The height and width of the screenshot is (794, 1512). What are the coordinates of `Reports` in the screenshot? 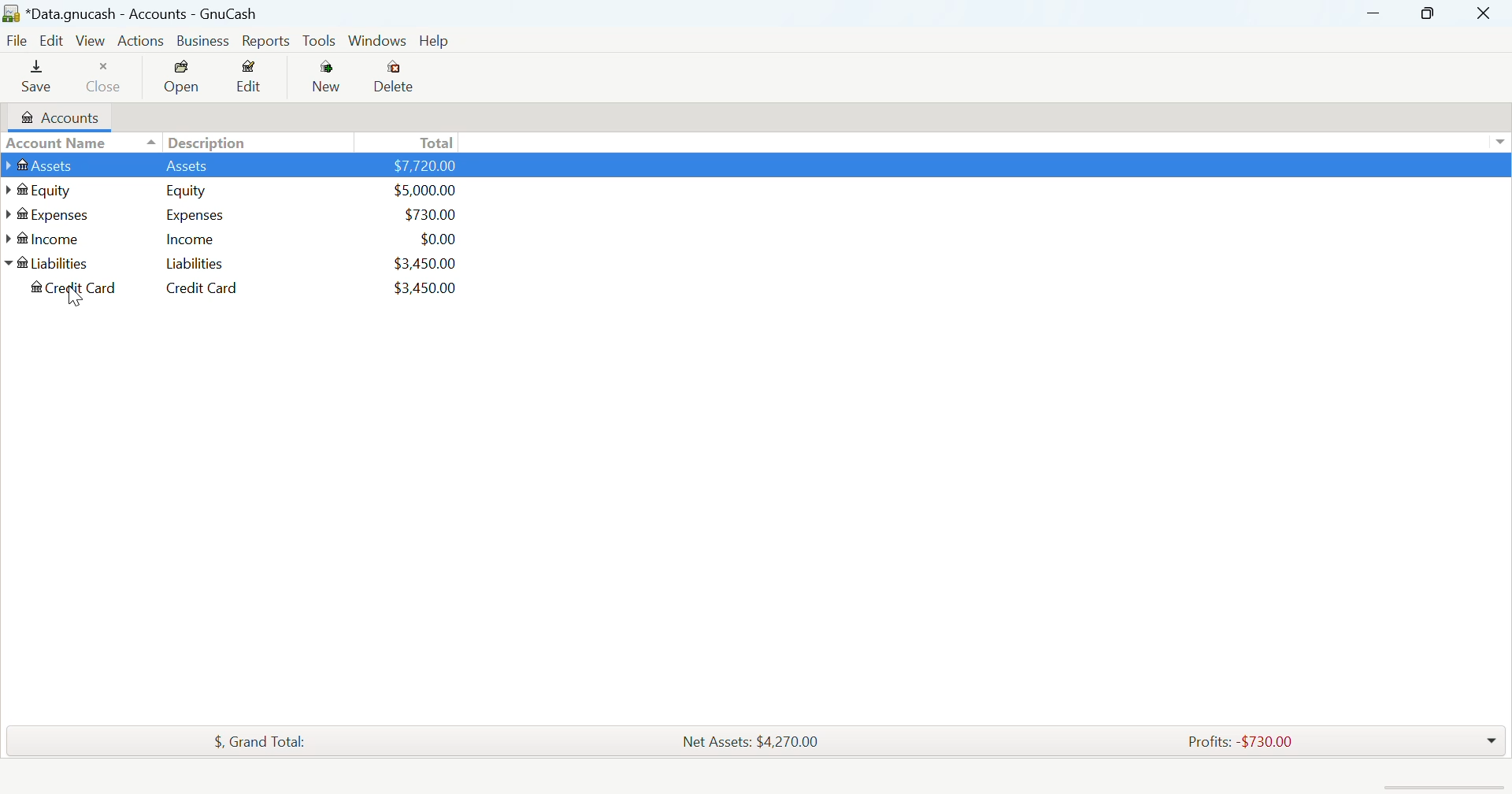 It's located at (265, 43).